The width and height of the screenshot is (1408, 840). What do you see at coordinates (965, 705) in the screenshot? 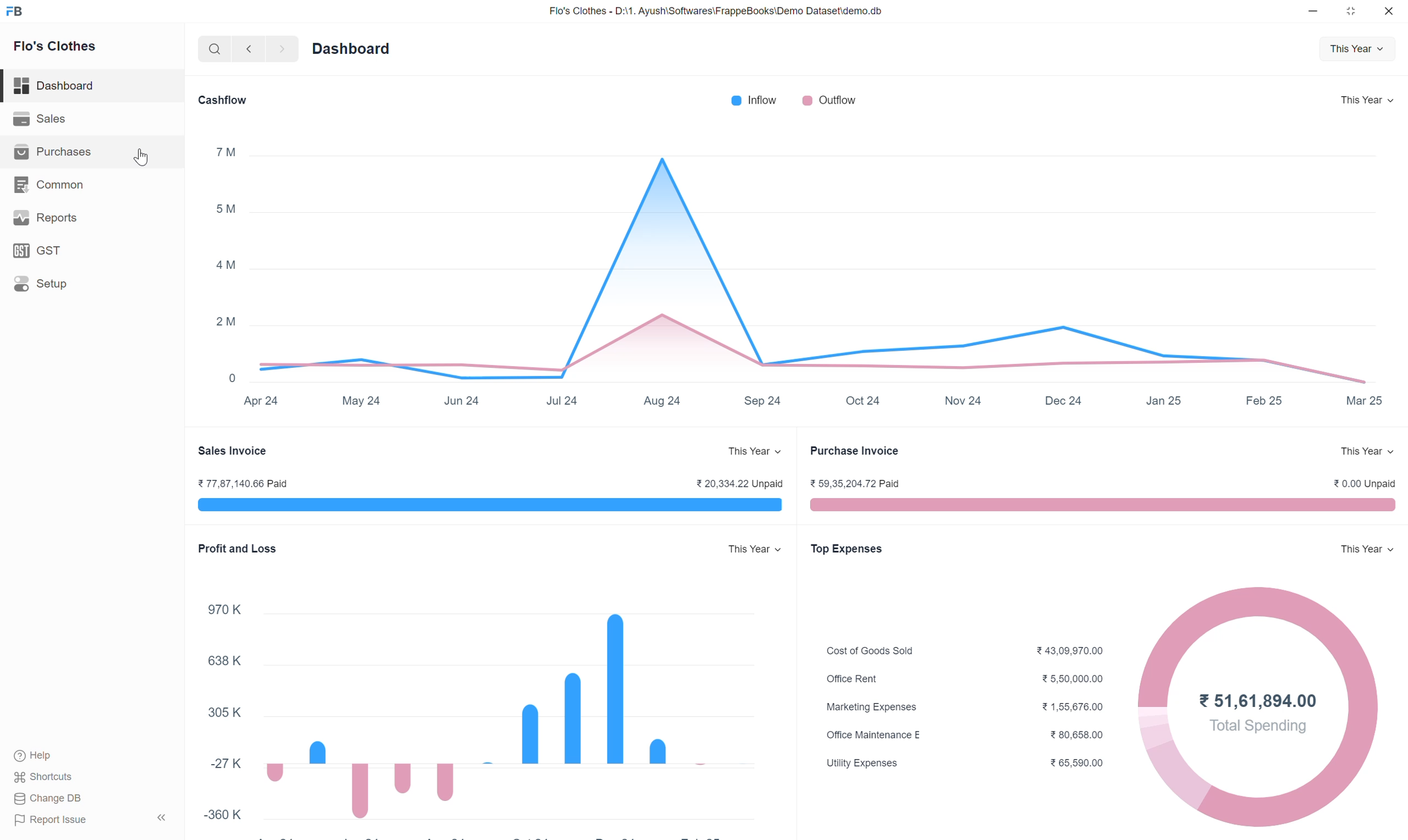
I see `Marketing Expenses 1,55,676.00` at bounding box center [965, 705].